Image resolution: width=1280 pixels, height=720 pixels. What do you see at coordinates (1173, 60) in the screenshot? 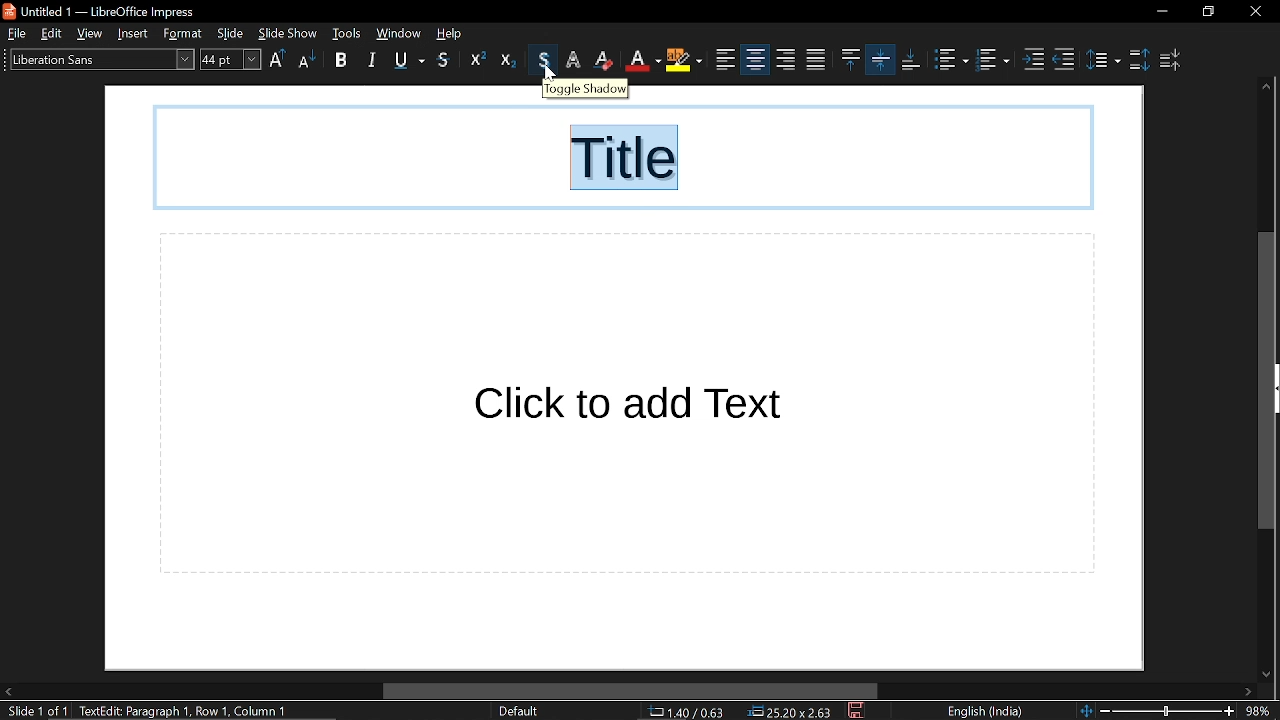
I see `decrease paragraph spacing` at bounding box center [1173, 60].